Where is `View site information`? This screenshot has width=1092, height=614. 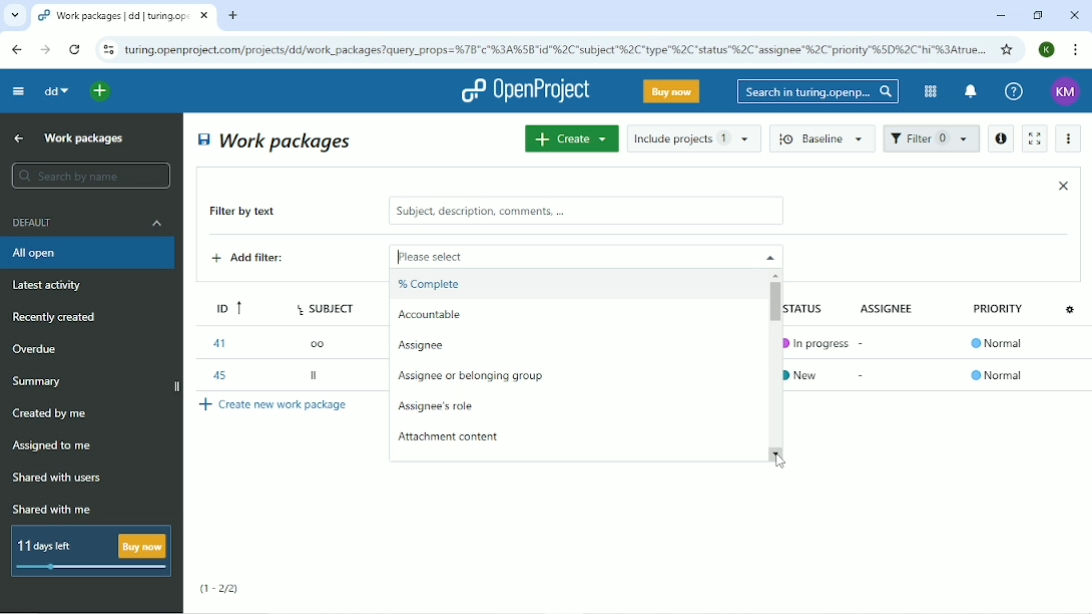 View site information is located at coordinates (108, 50).